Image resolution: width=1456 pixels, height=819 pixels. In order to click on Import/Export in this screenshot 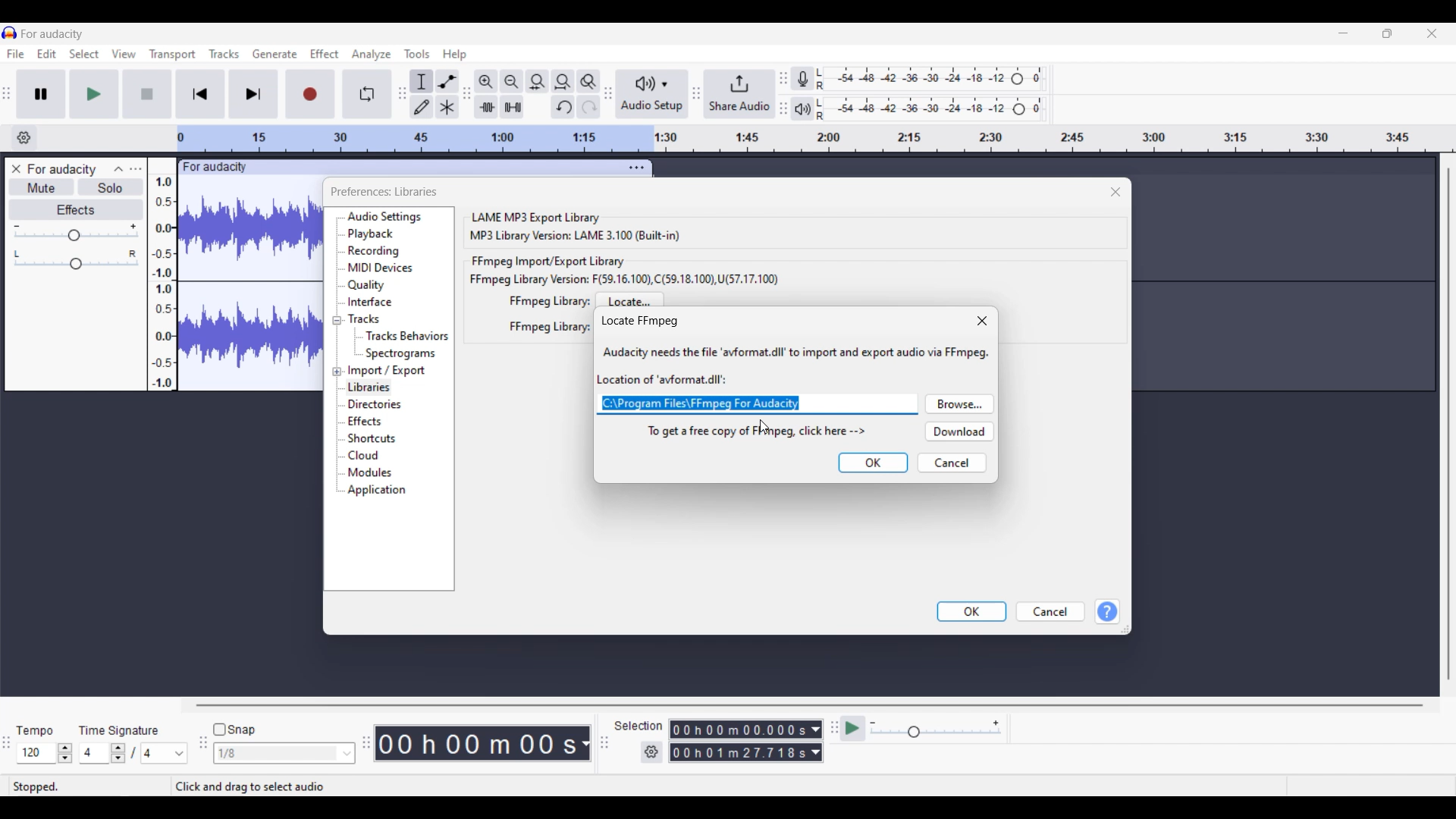, I will do `click(388, 371)`.